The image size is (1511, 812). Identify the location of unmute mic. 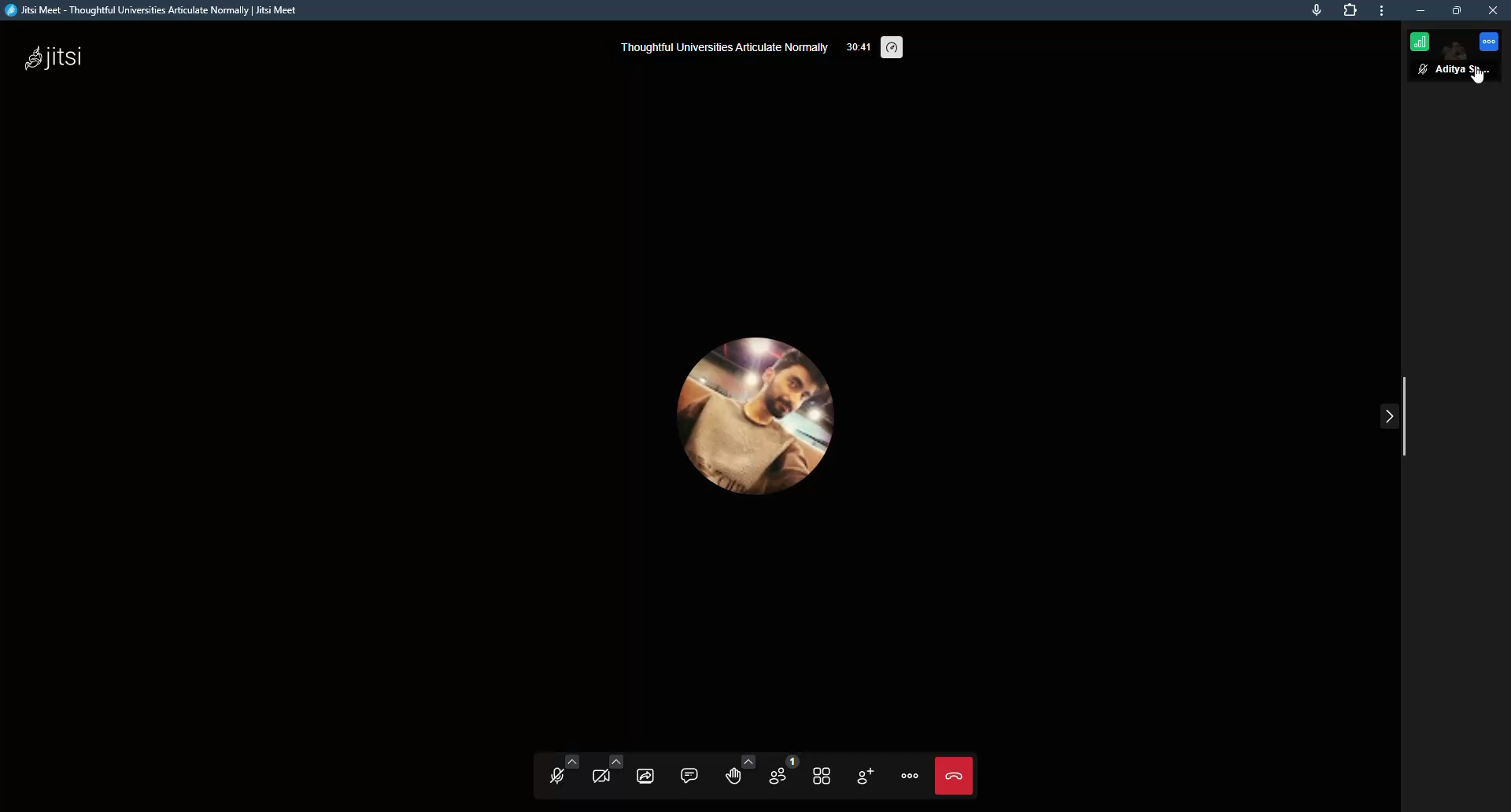
(555, 774).